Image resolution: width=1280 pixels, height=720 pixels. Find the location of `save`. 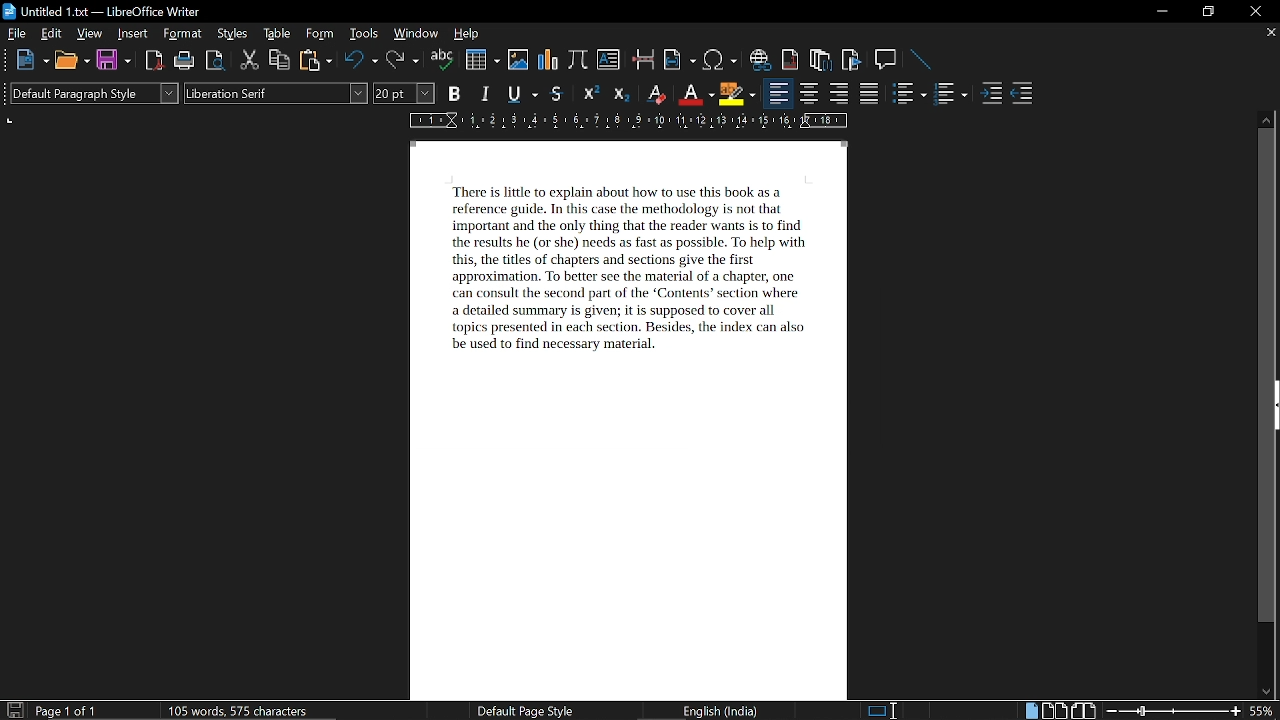

save is located at coordinates (113, 59).